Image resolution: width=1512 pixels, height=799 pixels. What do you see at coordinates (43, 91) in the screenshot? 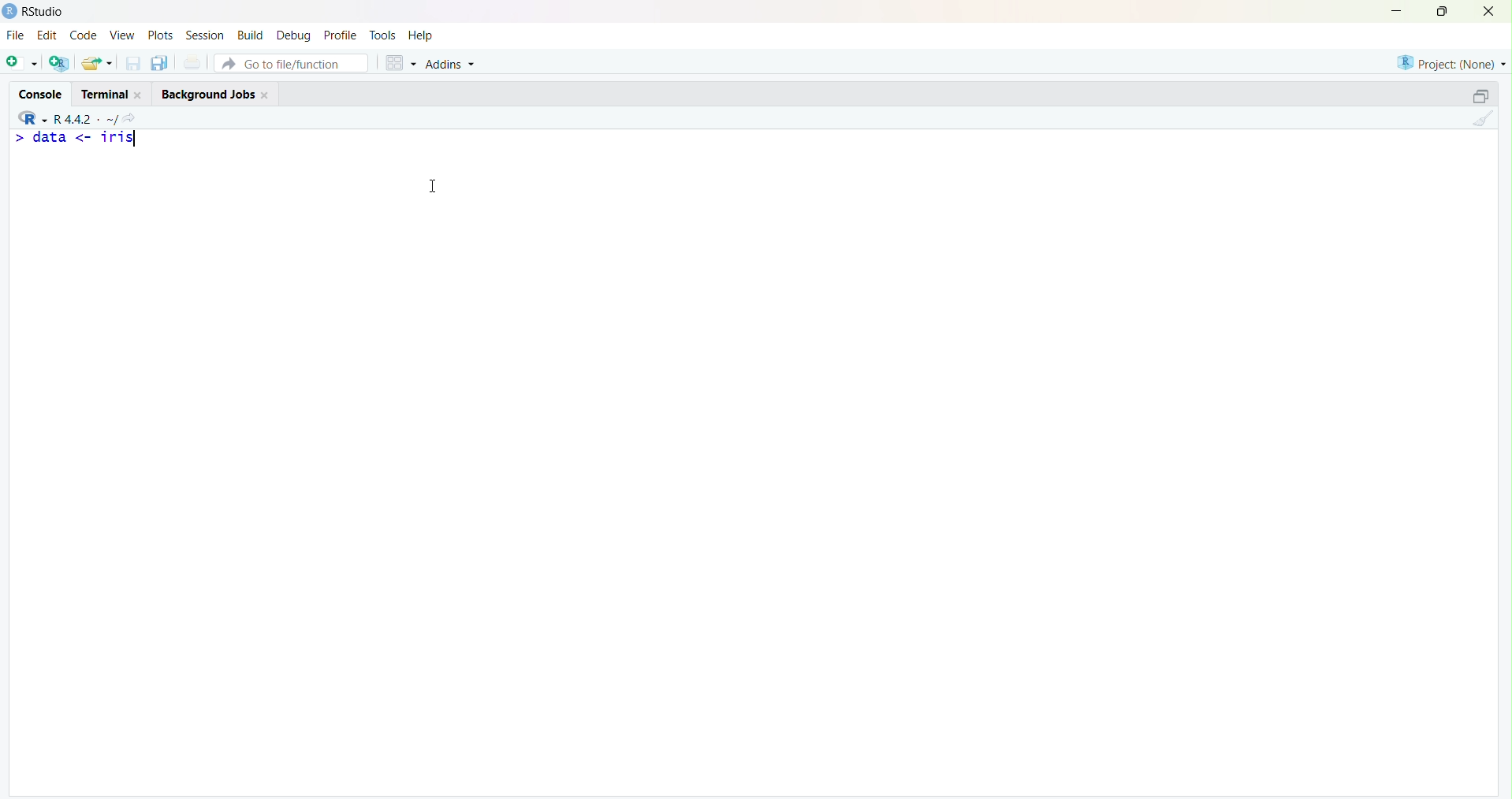
I see `Console` at bounding box center [43, 91].